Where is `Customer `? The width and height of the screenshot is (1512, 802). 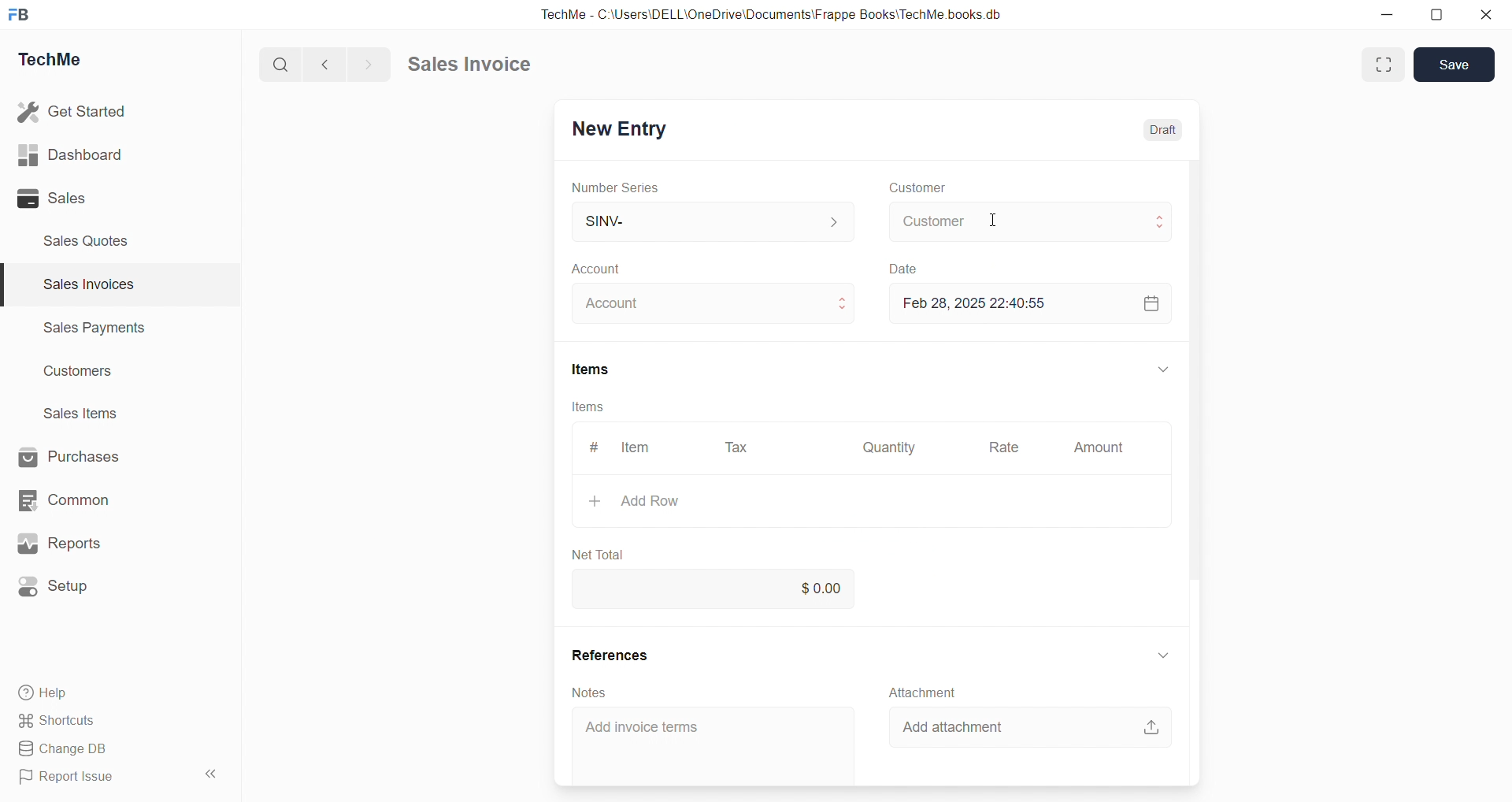 Customer  is located at coordinates (1032, 221).